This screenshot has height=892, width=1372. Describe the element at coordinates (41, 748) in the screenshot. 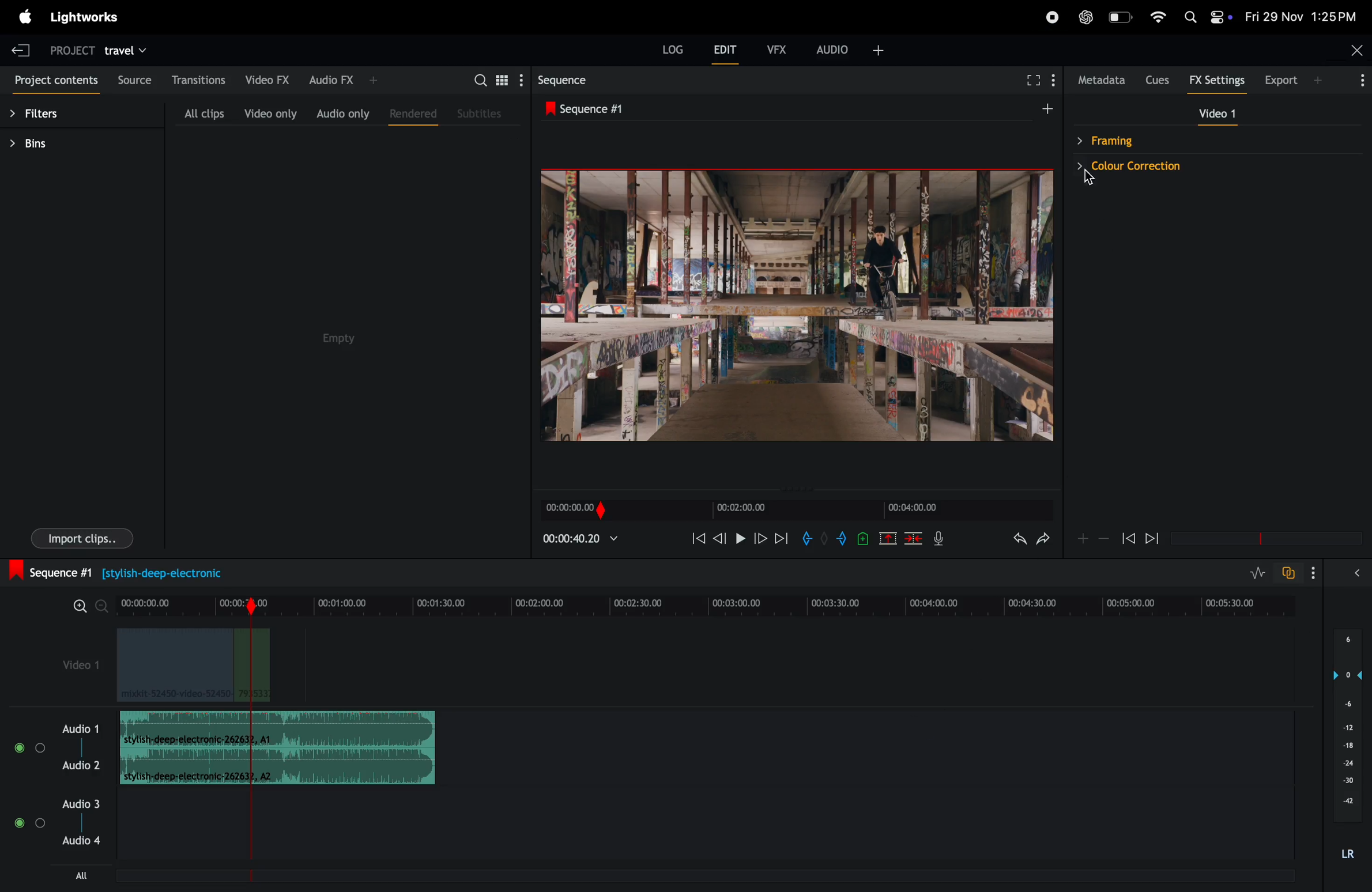

I see `toggle` at that location.